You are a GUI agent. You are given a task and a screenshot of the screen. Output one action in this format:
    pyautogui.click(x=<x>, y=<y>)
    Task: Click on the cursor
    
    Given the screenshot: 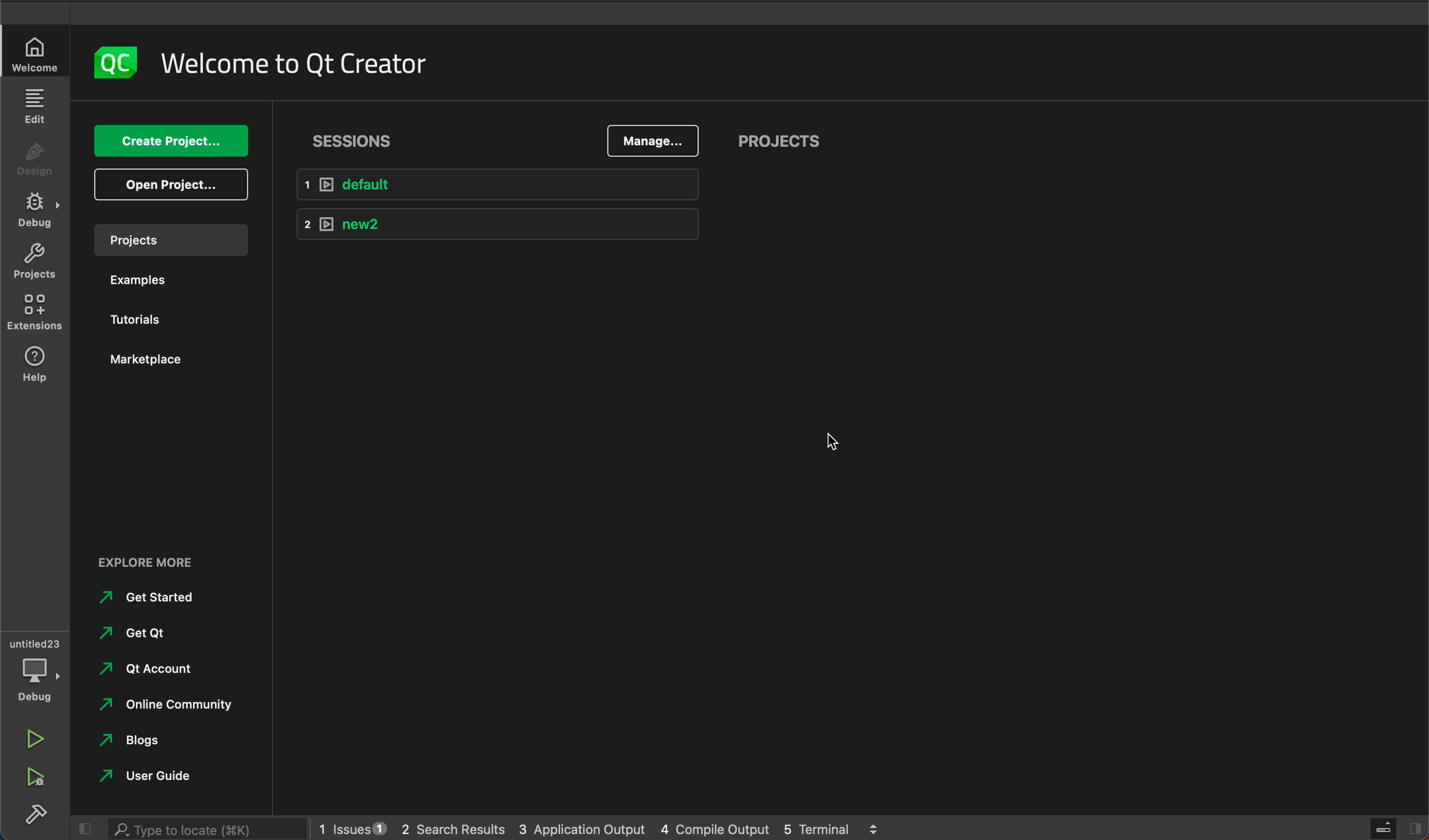 What is the action you would take?
    pyautogui.click(x=824, y=444)
    